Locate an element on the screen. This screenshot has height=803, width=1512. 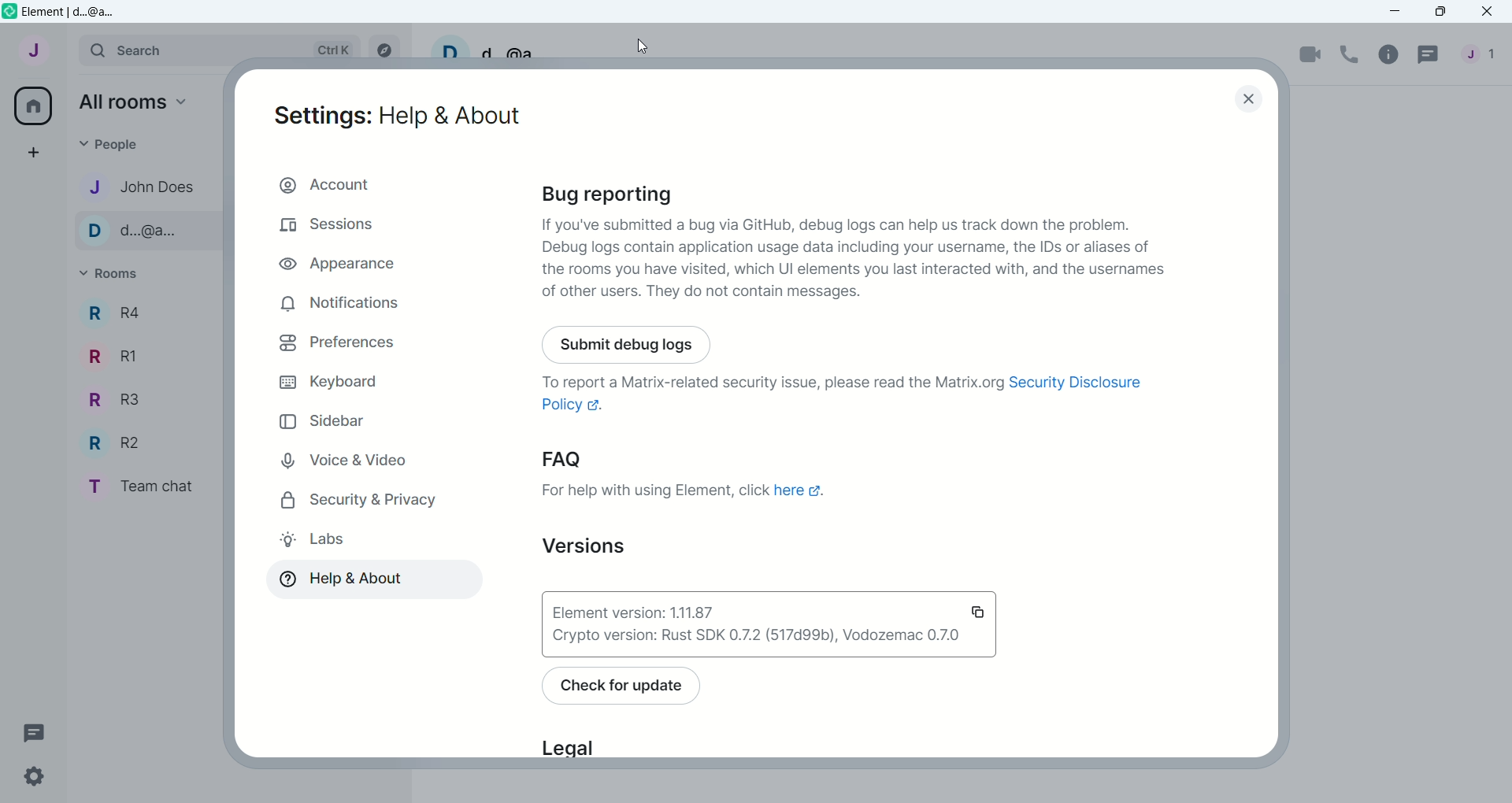
Room info is located at coordinates (1391, 54).